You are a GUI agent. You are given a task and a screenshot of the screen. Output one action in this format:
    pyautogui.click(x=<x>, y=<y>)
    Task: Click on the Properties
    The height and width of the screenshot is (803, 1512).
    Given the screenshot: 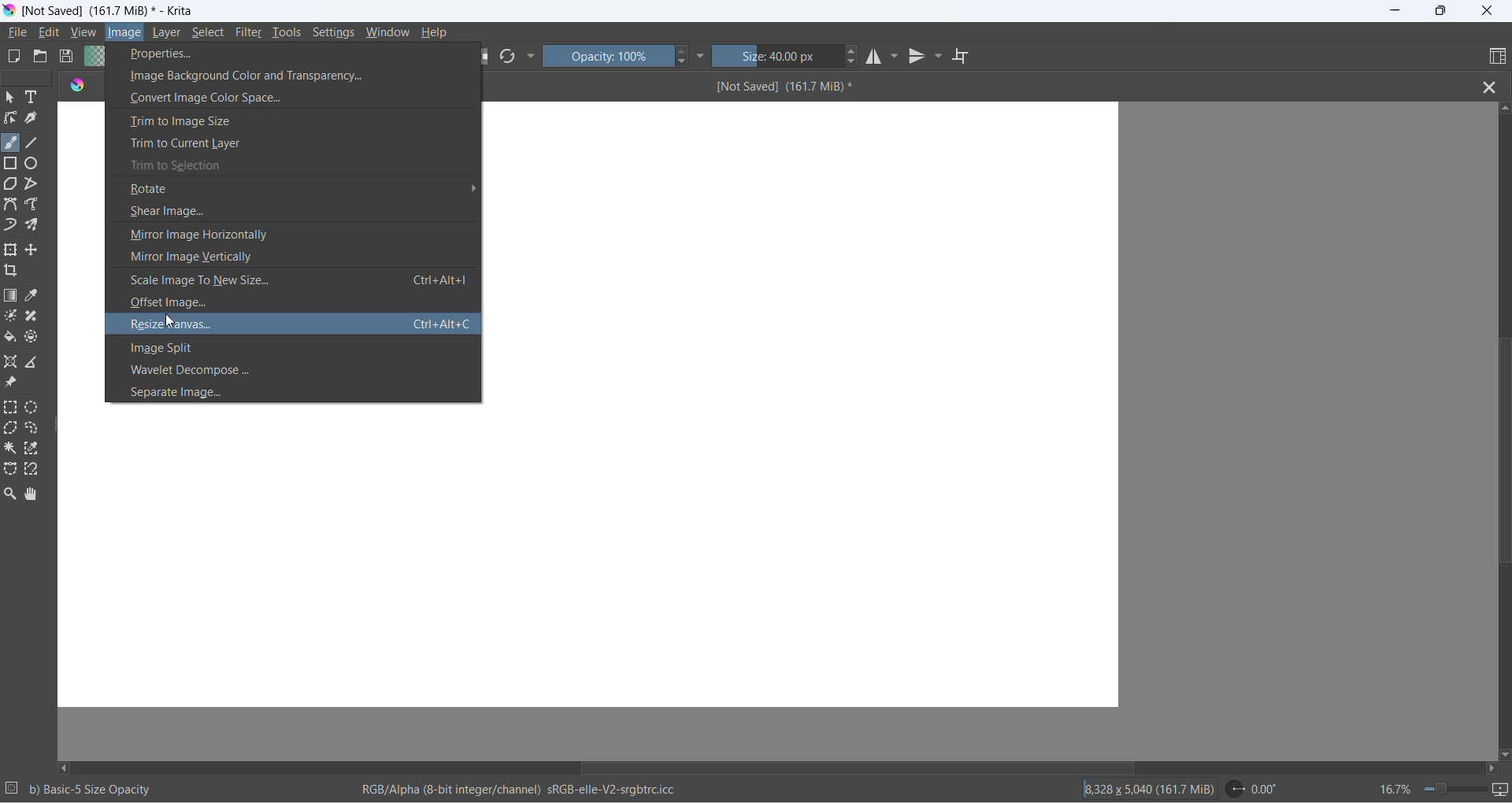 What is the action you would take?
    pyautogui.click(x=223, y=54)
    